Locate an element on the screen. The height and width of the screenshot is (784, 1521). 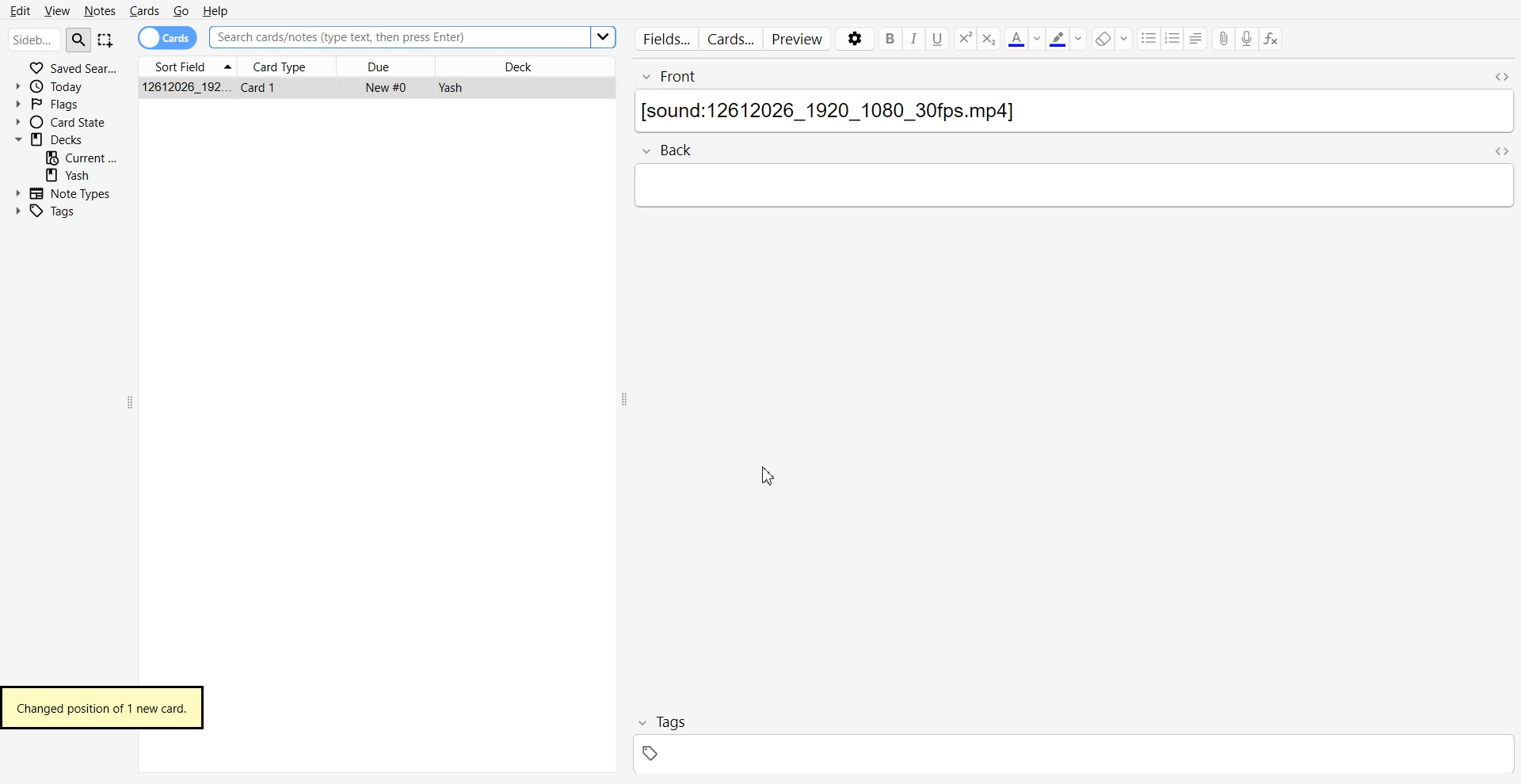
Card toggle is located at coordinates (168, 36).